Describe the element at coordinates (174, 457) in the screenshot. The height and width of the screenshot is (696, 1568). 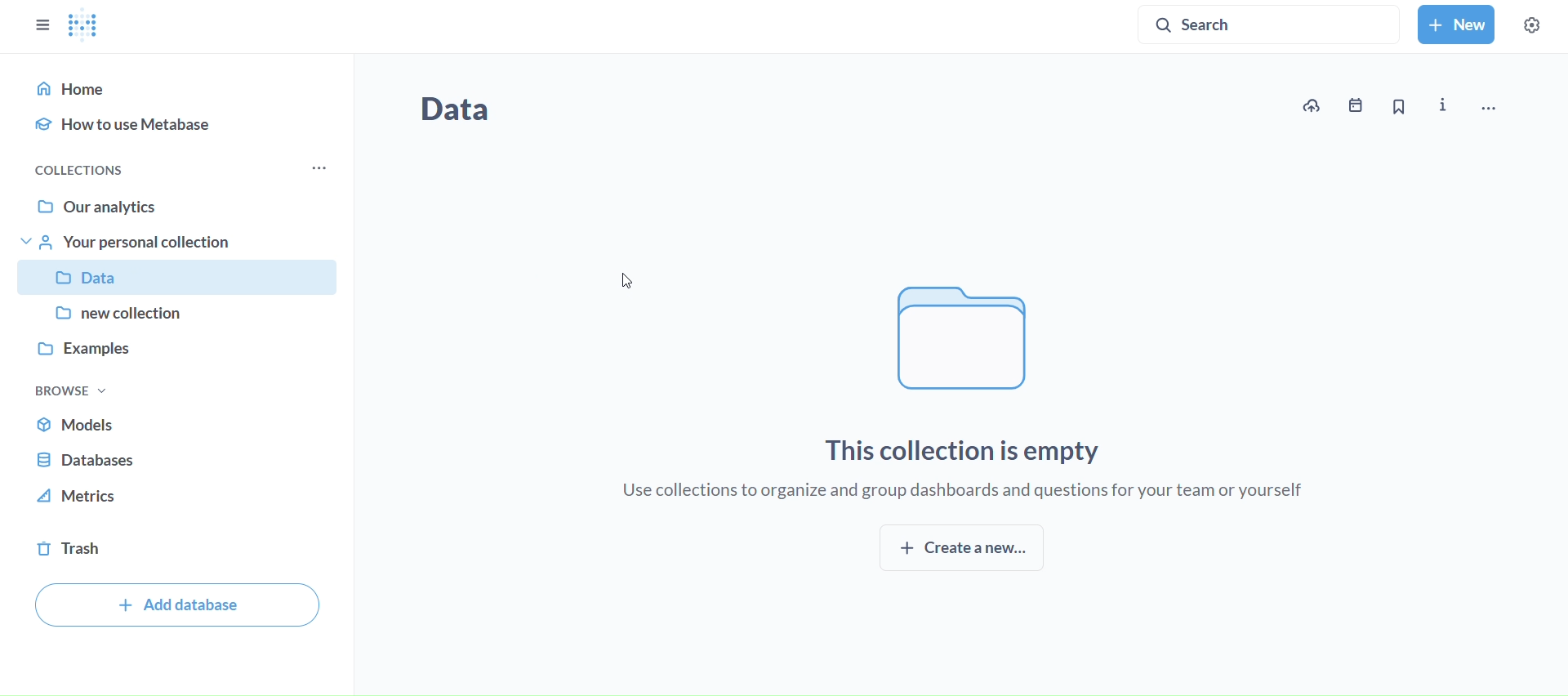
I see `database` at that location.